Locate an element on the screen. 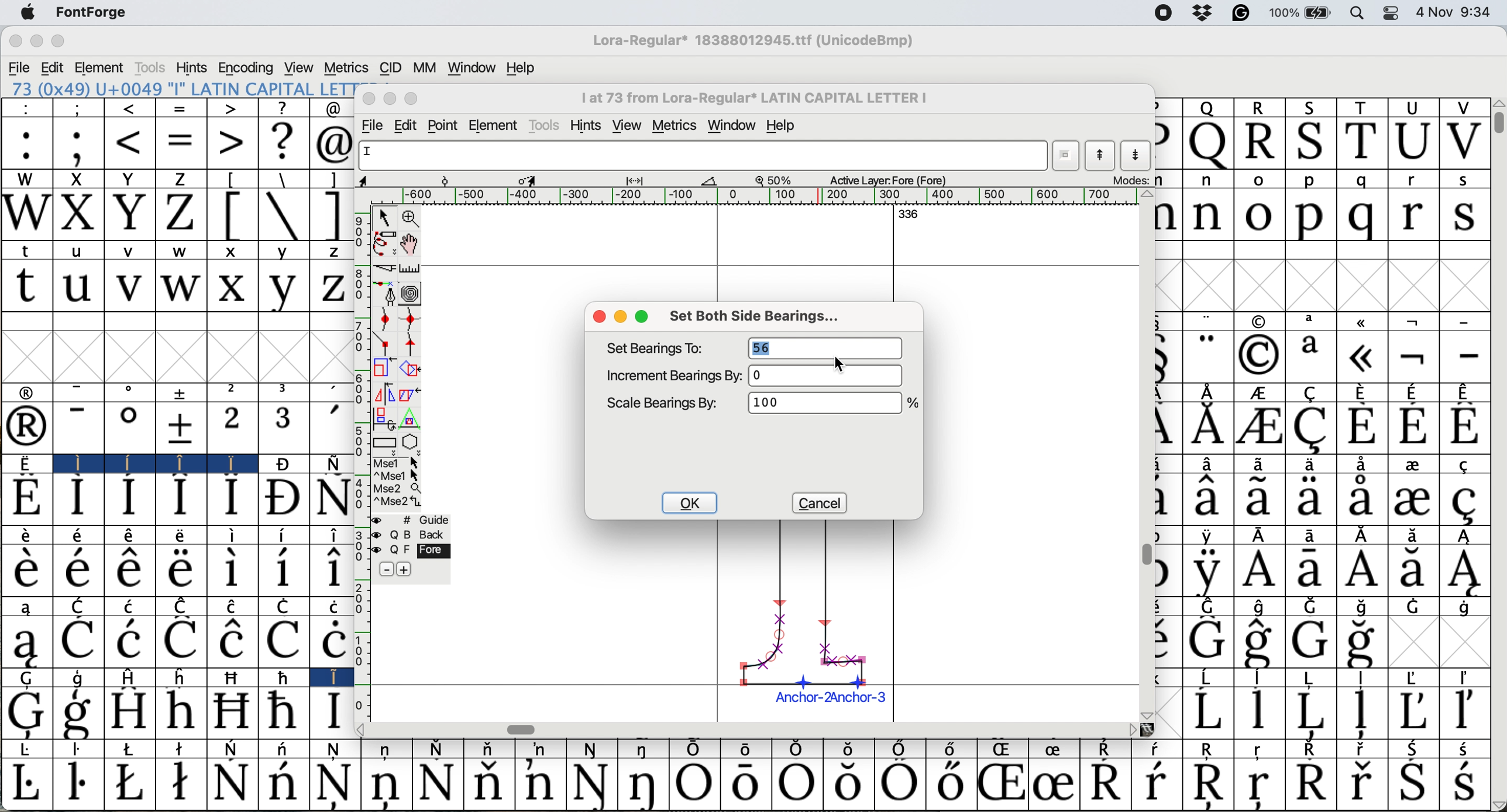 This screenshot has width=1507, height=812. C is located at coordinates (78, 605).